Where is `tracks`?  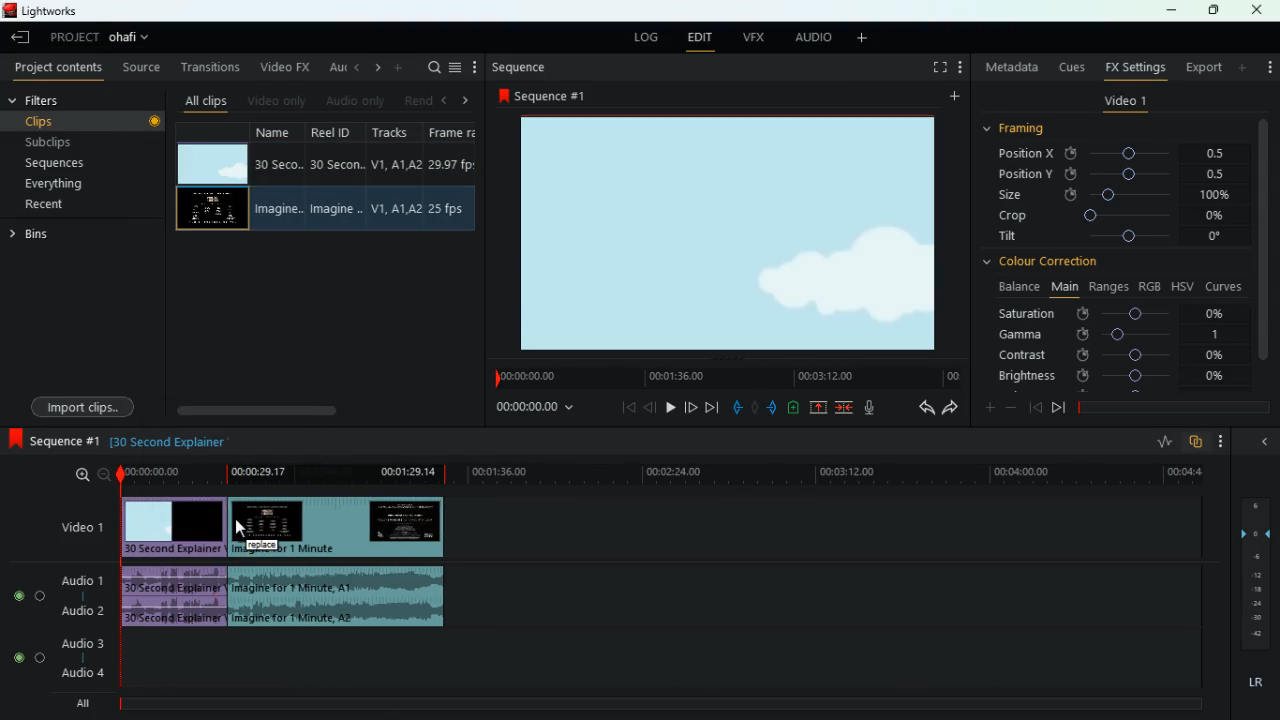
tracks is located at coordinates (396, 176).